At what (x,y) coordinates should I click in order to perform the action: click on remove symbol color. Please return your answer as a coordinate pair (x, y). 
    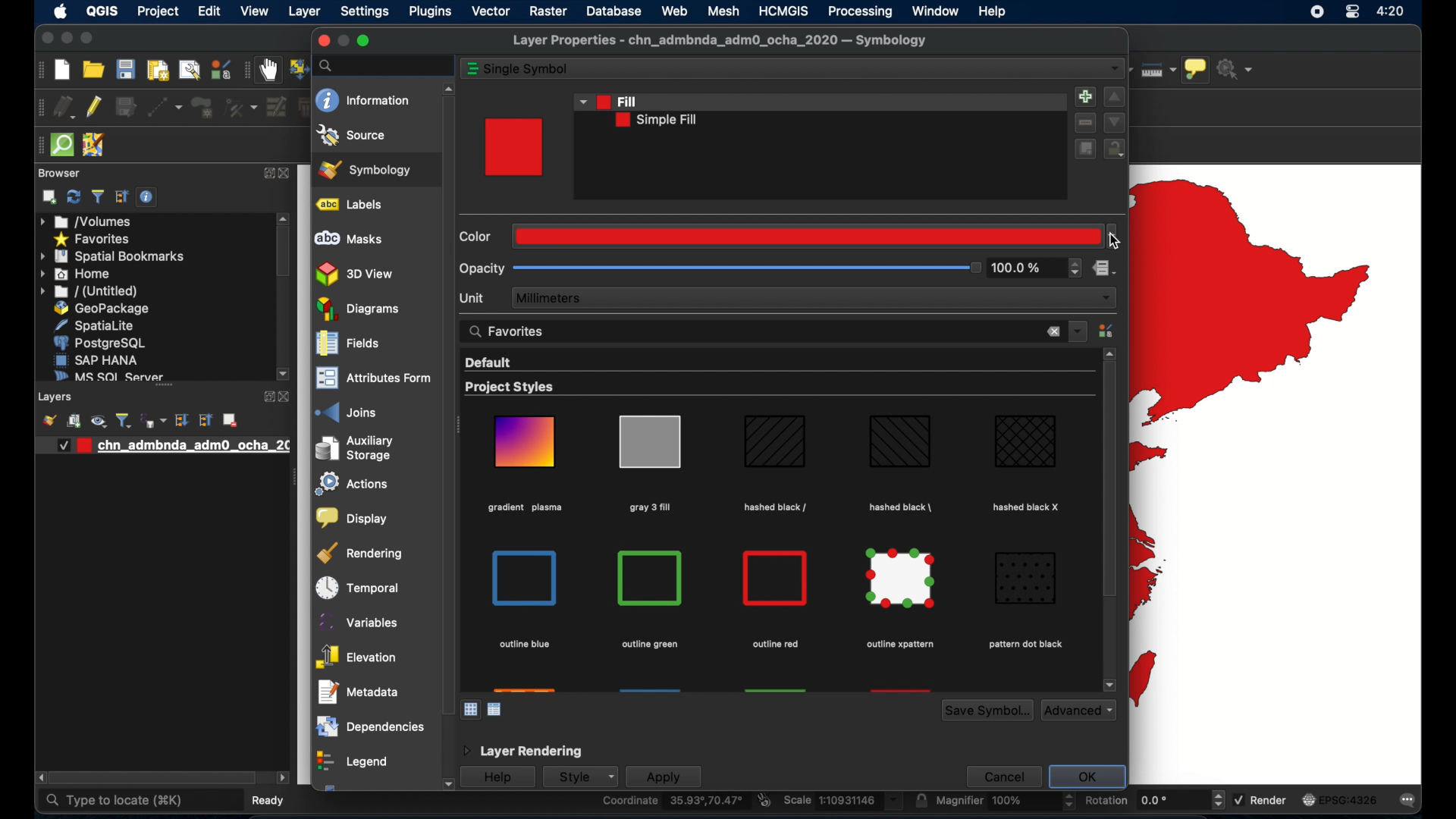
    Looking at the image, I should click on (1087, 123).